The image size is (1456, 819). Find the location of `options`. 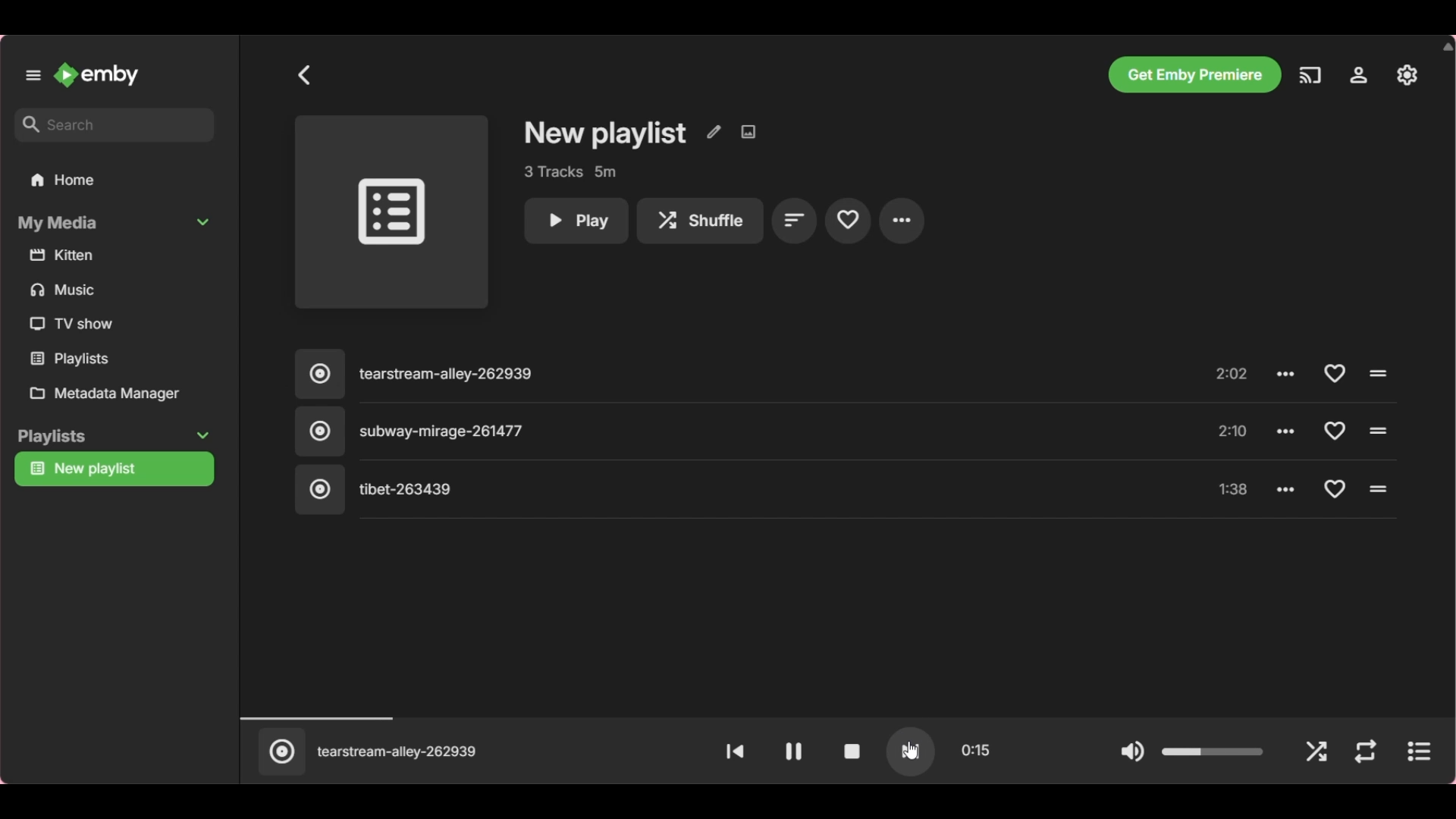

options is located at coordinates (1285, 490).